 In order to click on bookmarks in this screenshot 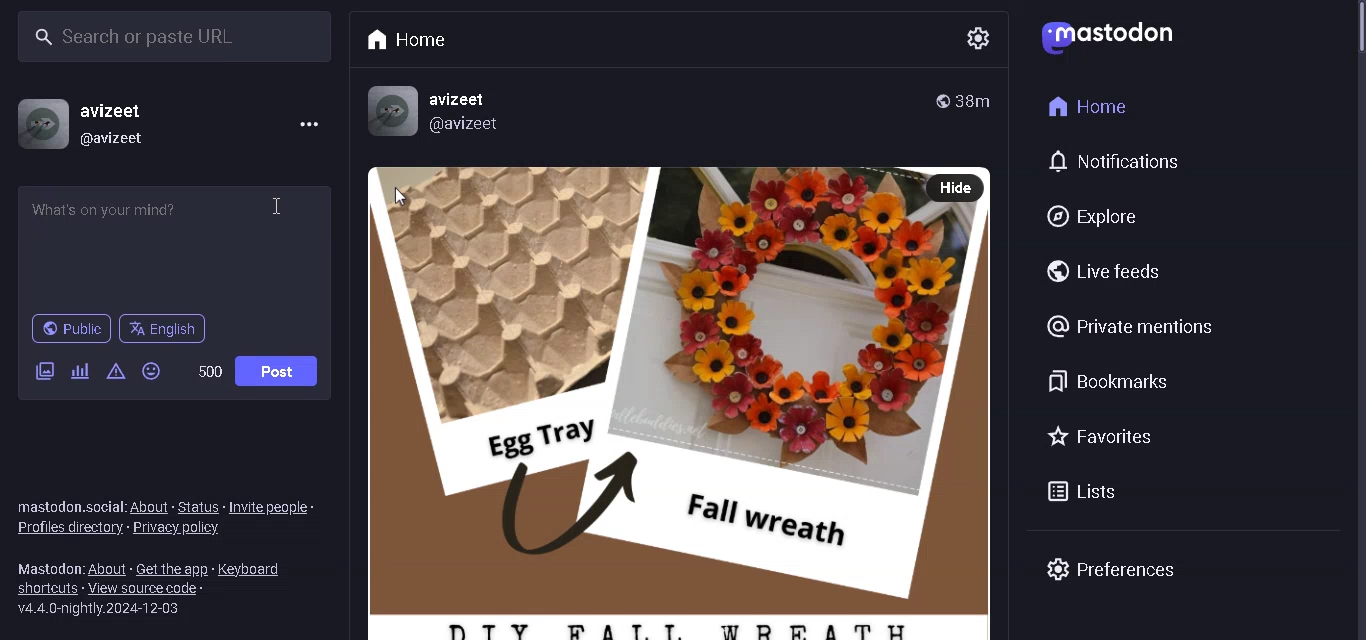, I will do `click(1112, 381)`.